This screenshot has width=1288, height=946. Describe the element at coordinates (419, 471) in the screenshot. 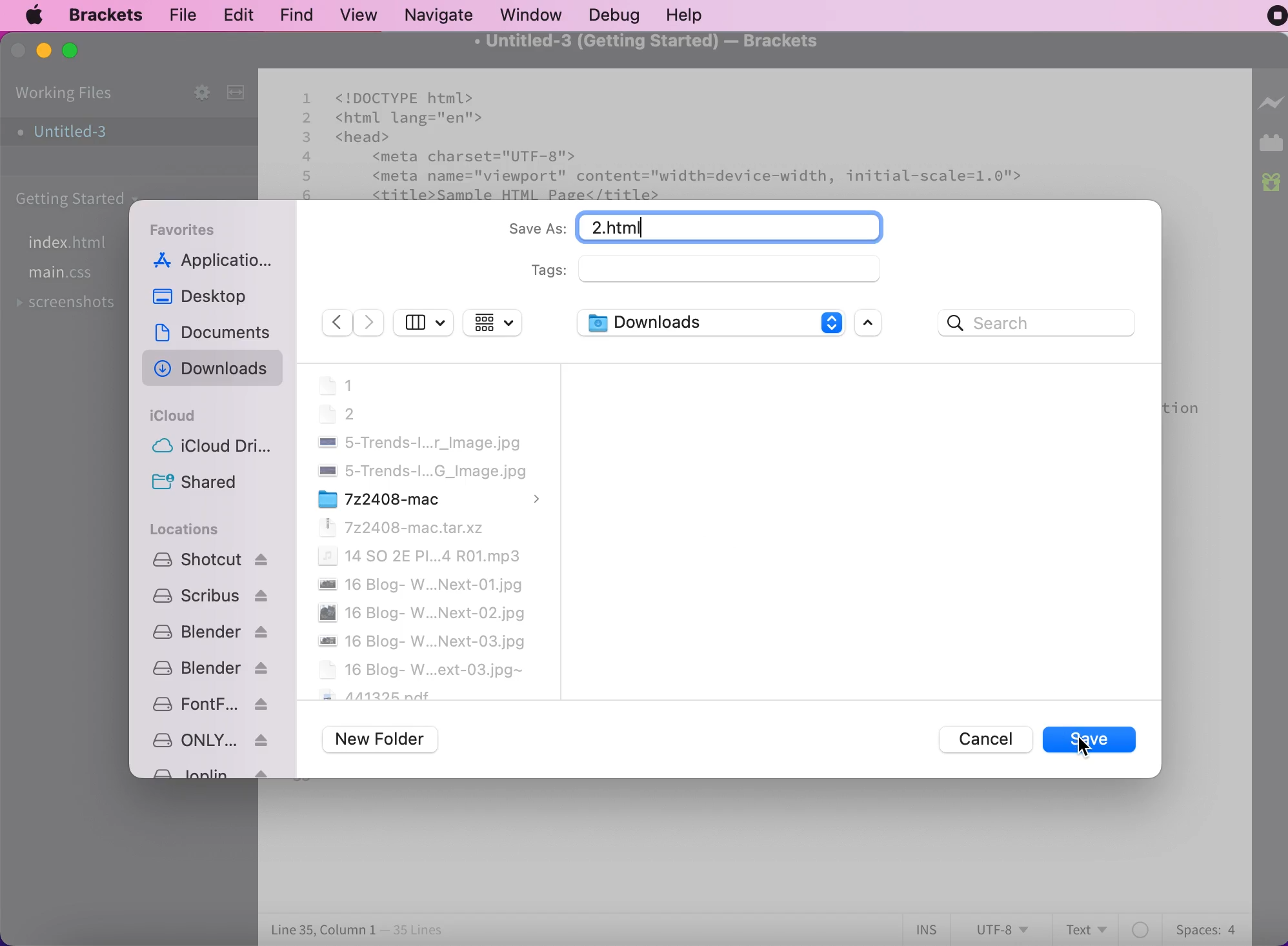

I see `5-Trends-I...G_Image.jpg` at that location.